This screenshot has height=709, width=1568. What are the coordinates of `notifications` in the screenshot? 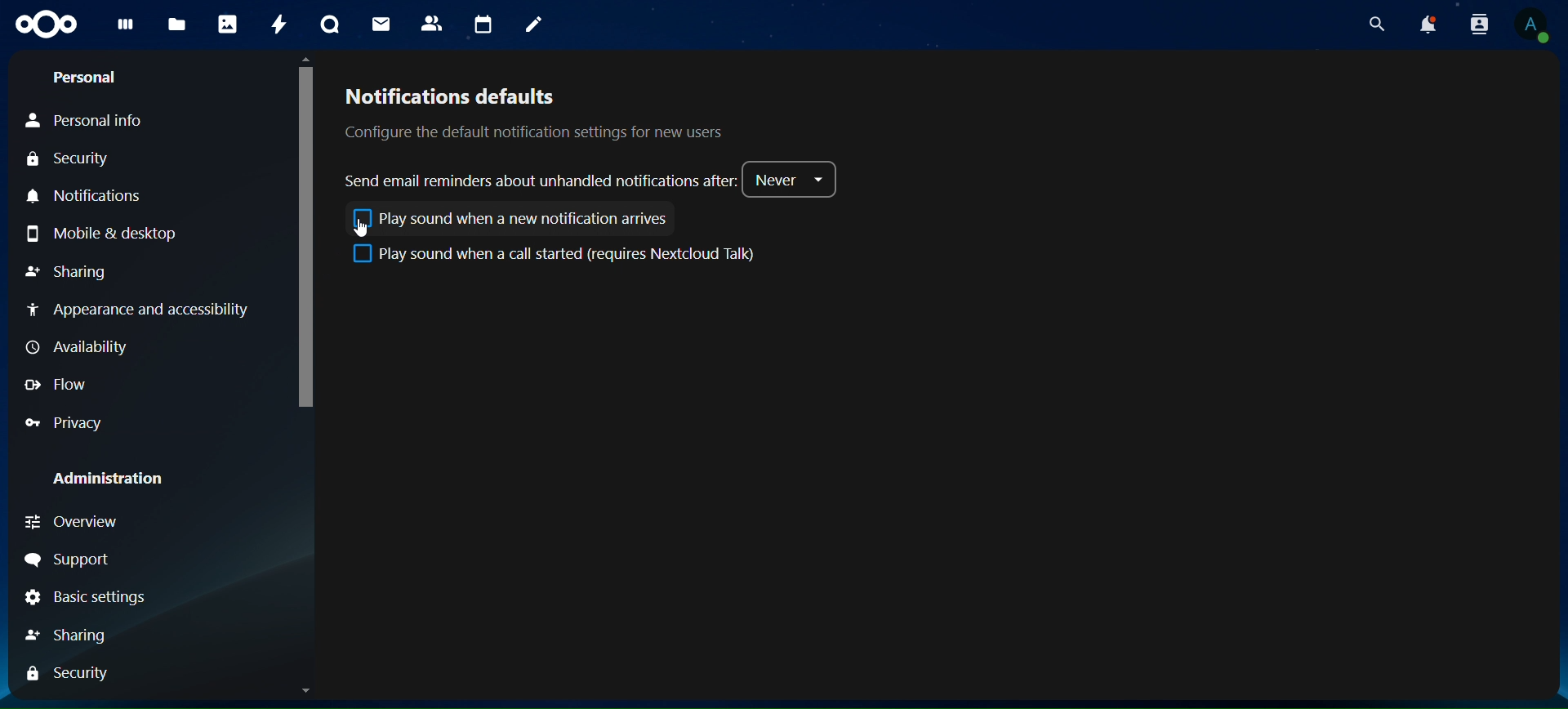 It's located at (1425, 24).